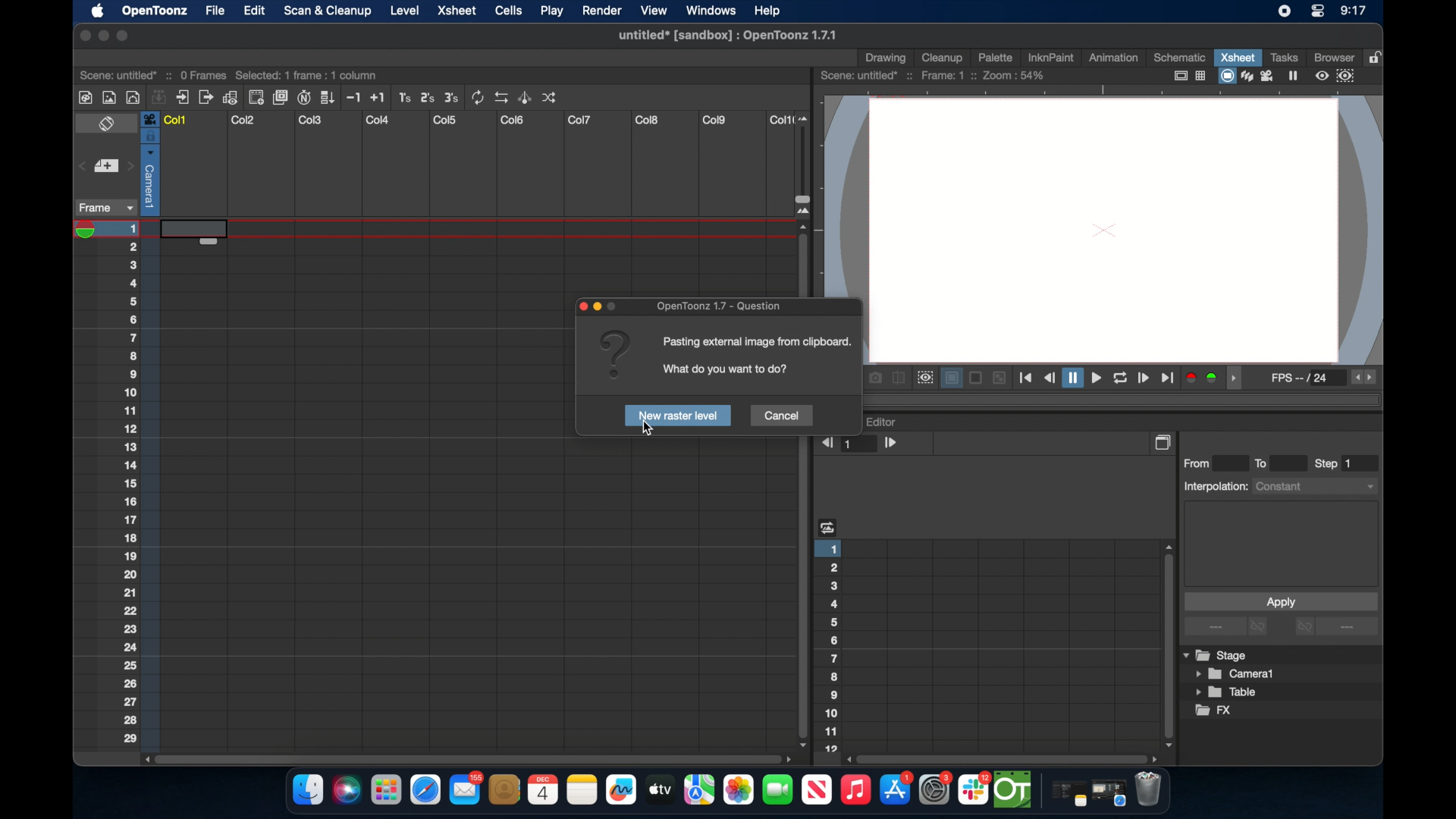 The image size is (1456, 819). What do you see at coordinates (808, 165) in the screenshot?
I see `slider` at bounding box center [808, 165].